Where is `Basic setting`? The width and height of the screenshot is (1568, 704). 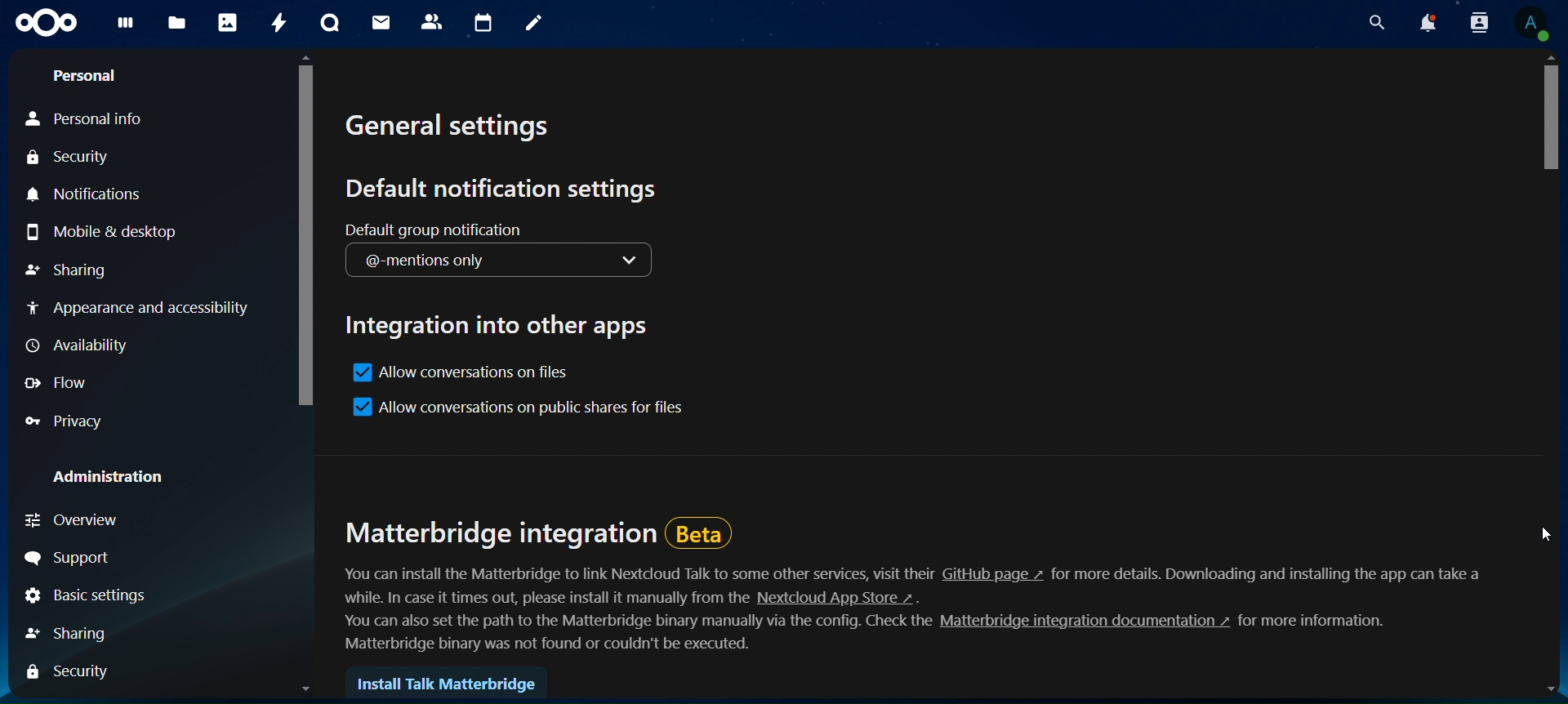
Basic setting is located at coordinates (91, 595).